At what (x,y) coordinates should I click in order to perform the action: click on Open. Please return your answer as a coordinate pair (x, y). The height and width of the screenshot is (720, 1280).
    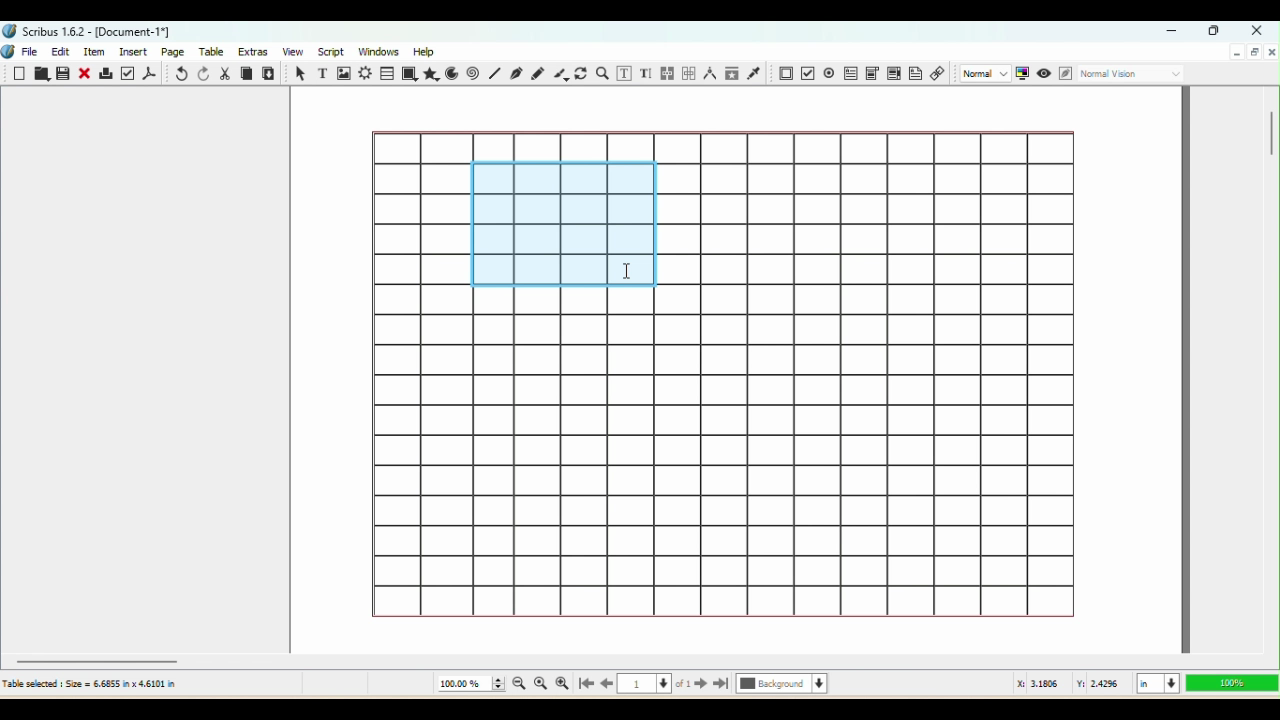
    Looking at the image, I should click on (41, 75).